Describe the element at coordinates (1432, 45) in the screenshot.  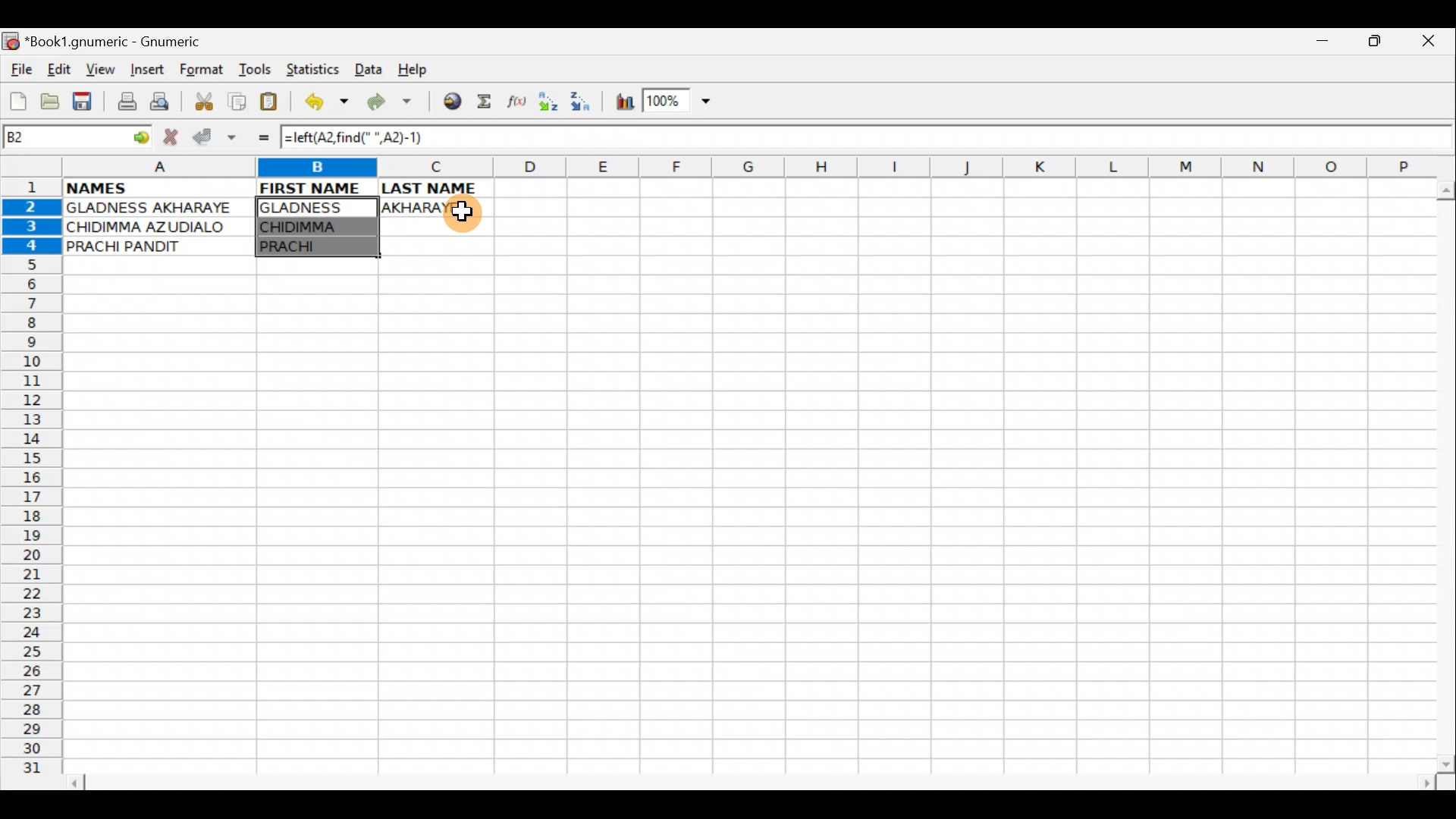
I see `Close` at that location.